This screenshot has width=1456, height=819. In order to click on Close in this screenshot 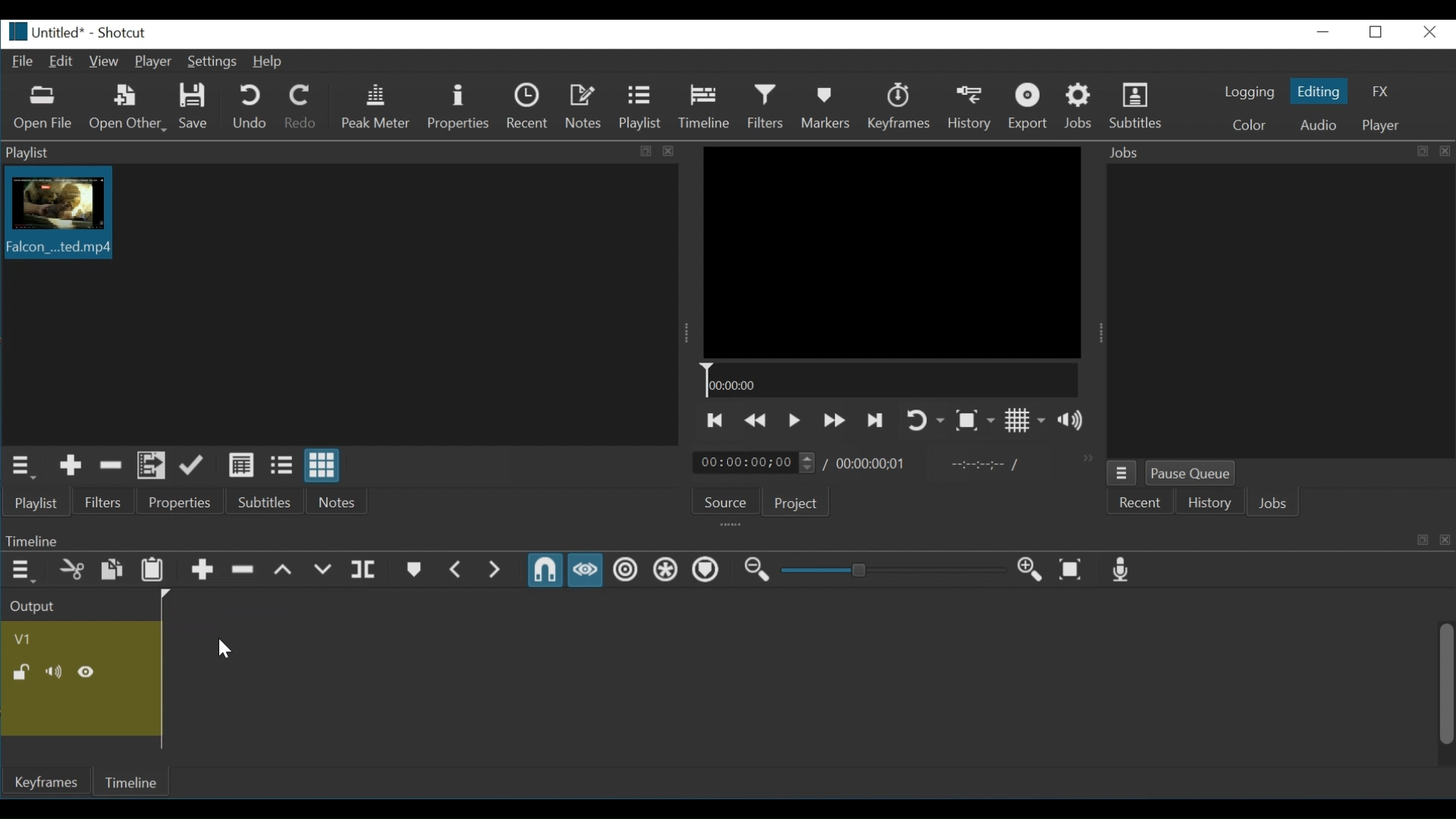, I will do `click(1427, 32)`.